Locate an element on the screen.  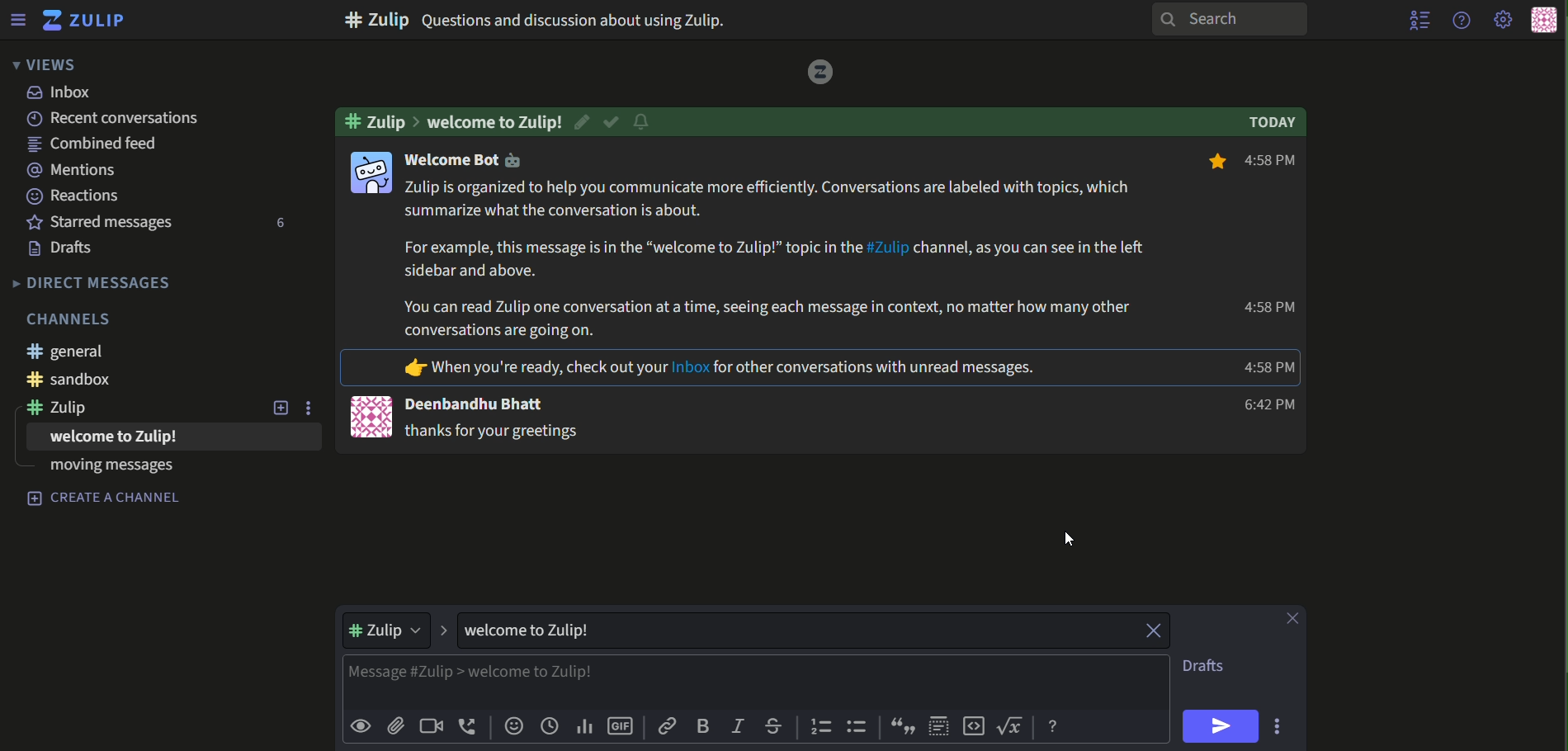
help menu is located at coordinates (1460, 19).